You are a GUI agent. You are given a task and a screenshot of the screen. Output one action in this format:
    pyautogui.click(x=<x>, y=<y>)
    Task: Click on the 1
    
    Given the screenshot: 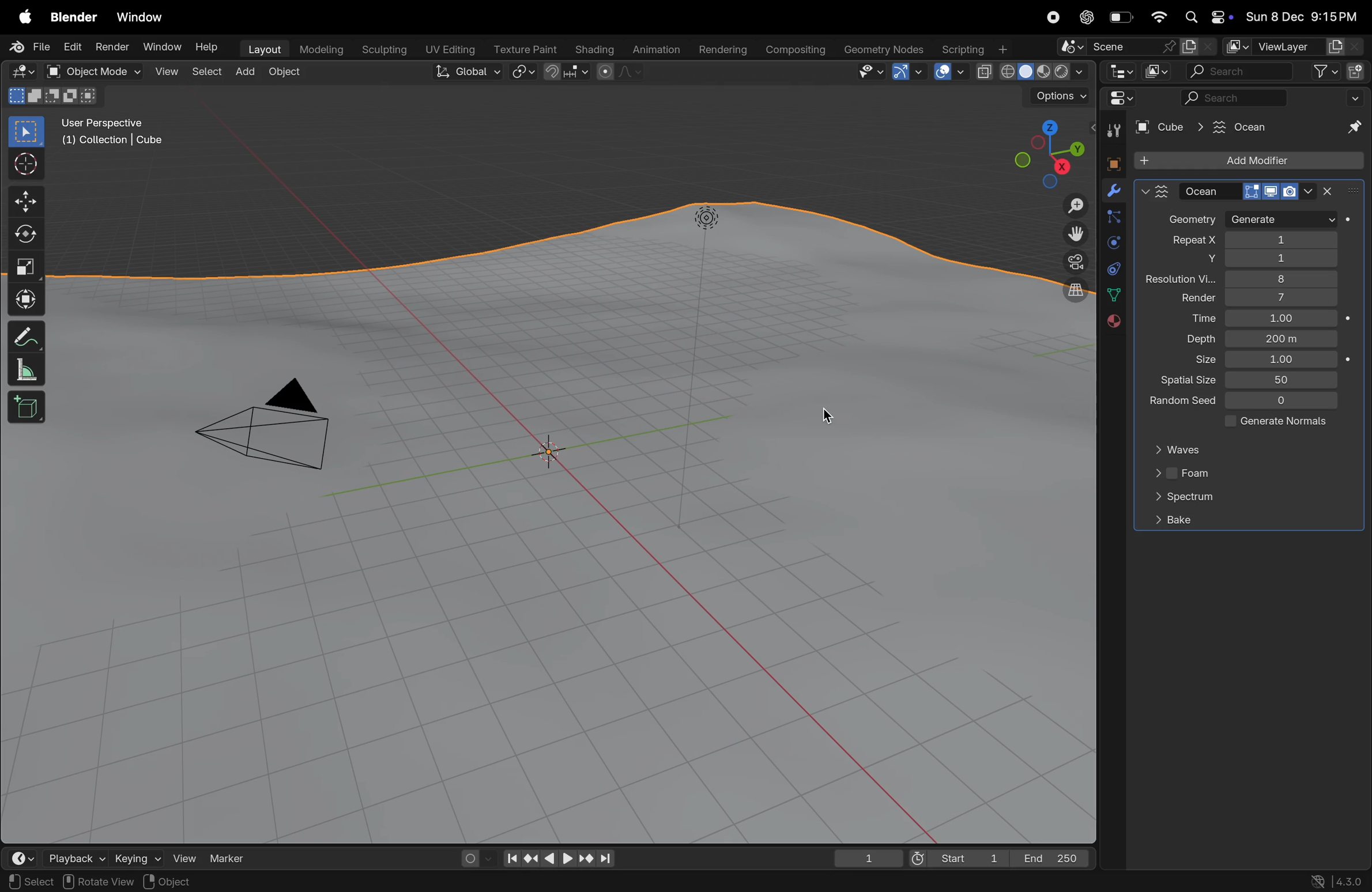 What is the action you would take?
    pyautogui.click(x=1282, y=240)
    